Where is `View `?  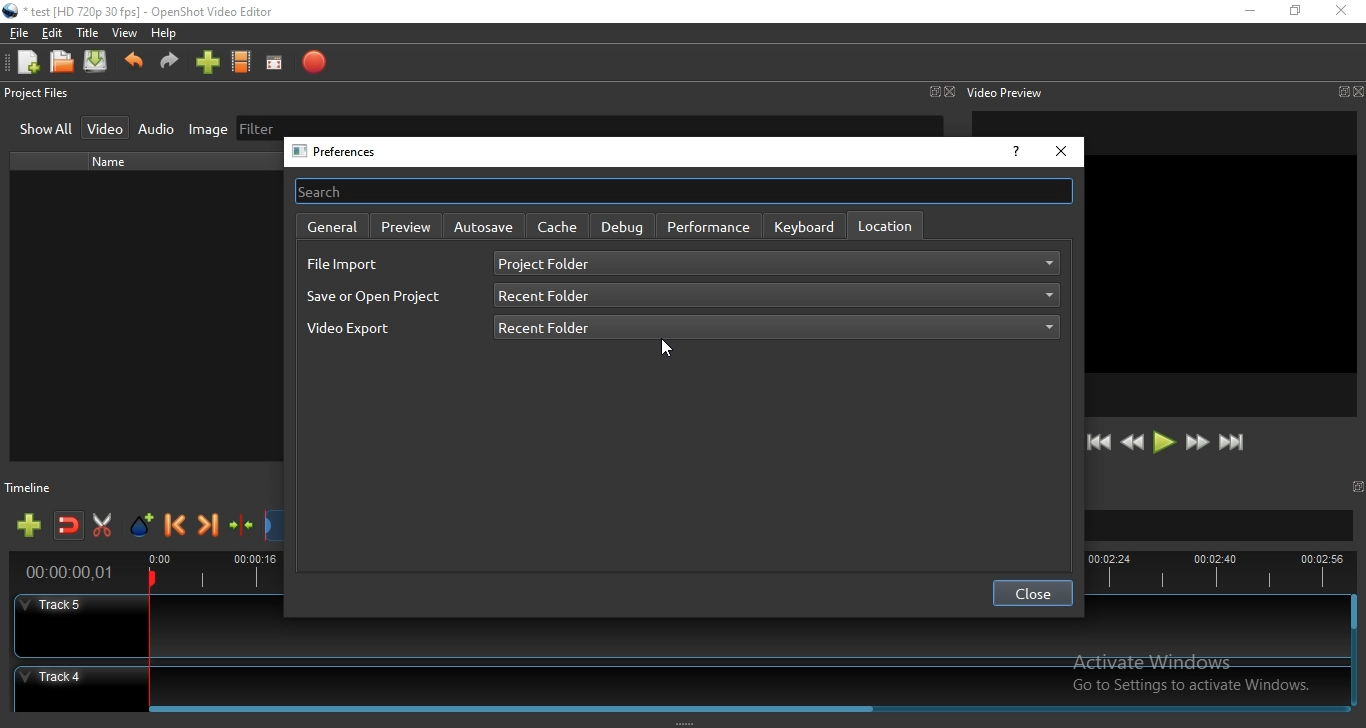 View  is located at coordinates (125, 34).